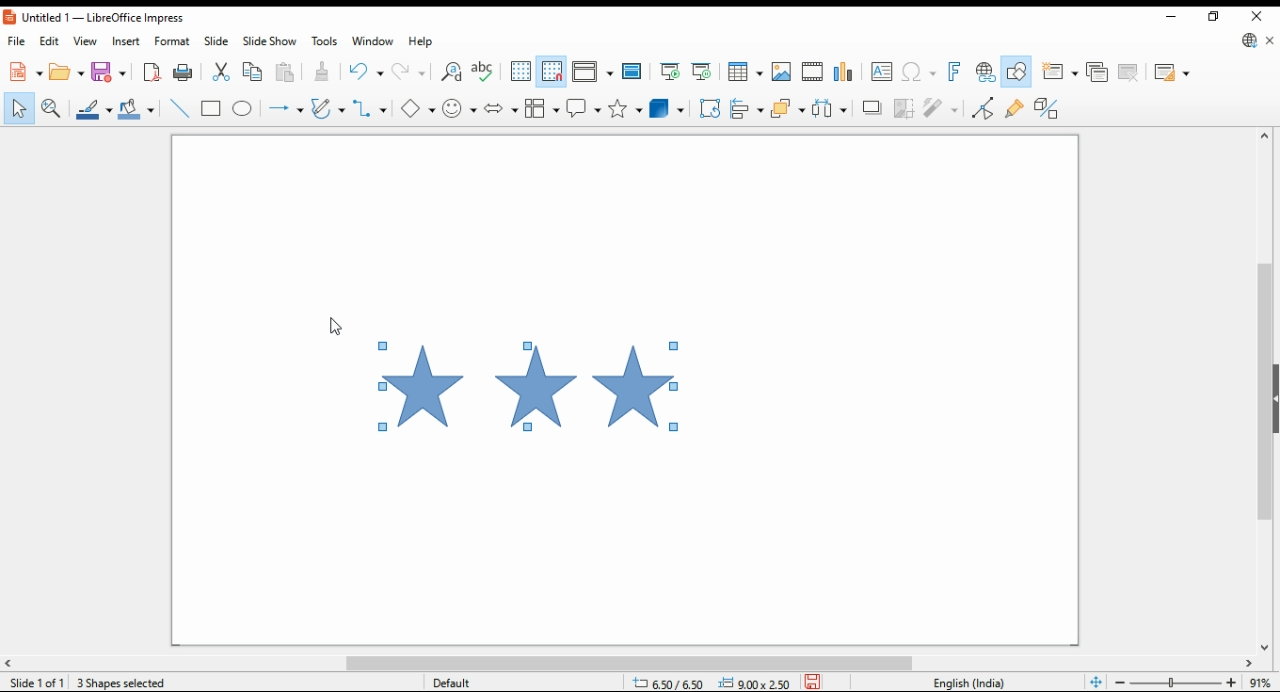 The height and width of the screenshot is (692, 1280). Describe the element at coordinates (419, 43) in the screenshot. I see `help` at that location.